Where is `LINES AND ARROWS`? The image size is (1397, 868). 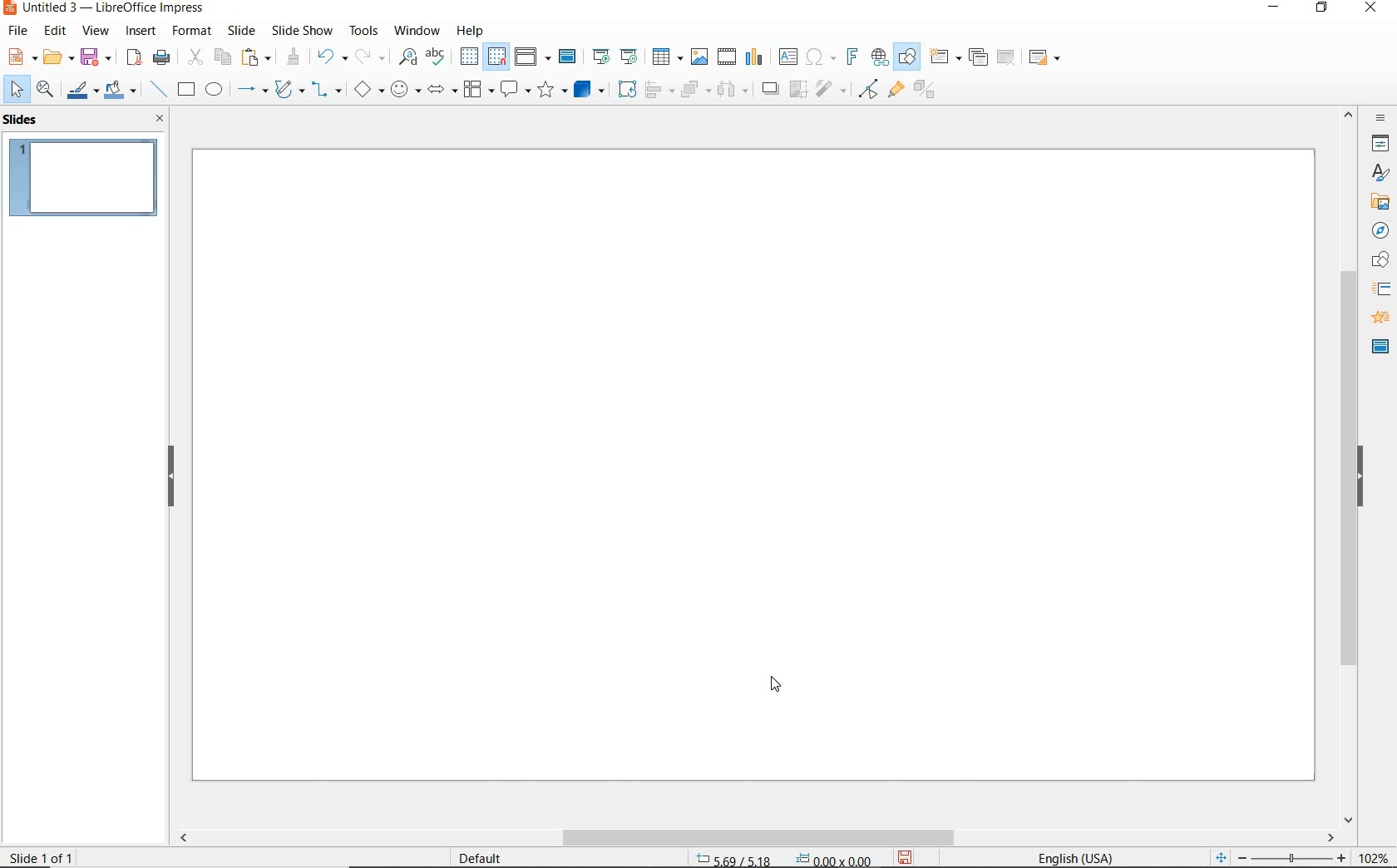
LINES AND ARROWS is located at coordinates (253, 91).